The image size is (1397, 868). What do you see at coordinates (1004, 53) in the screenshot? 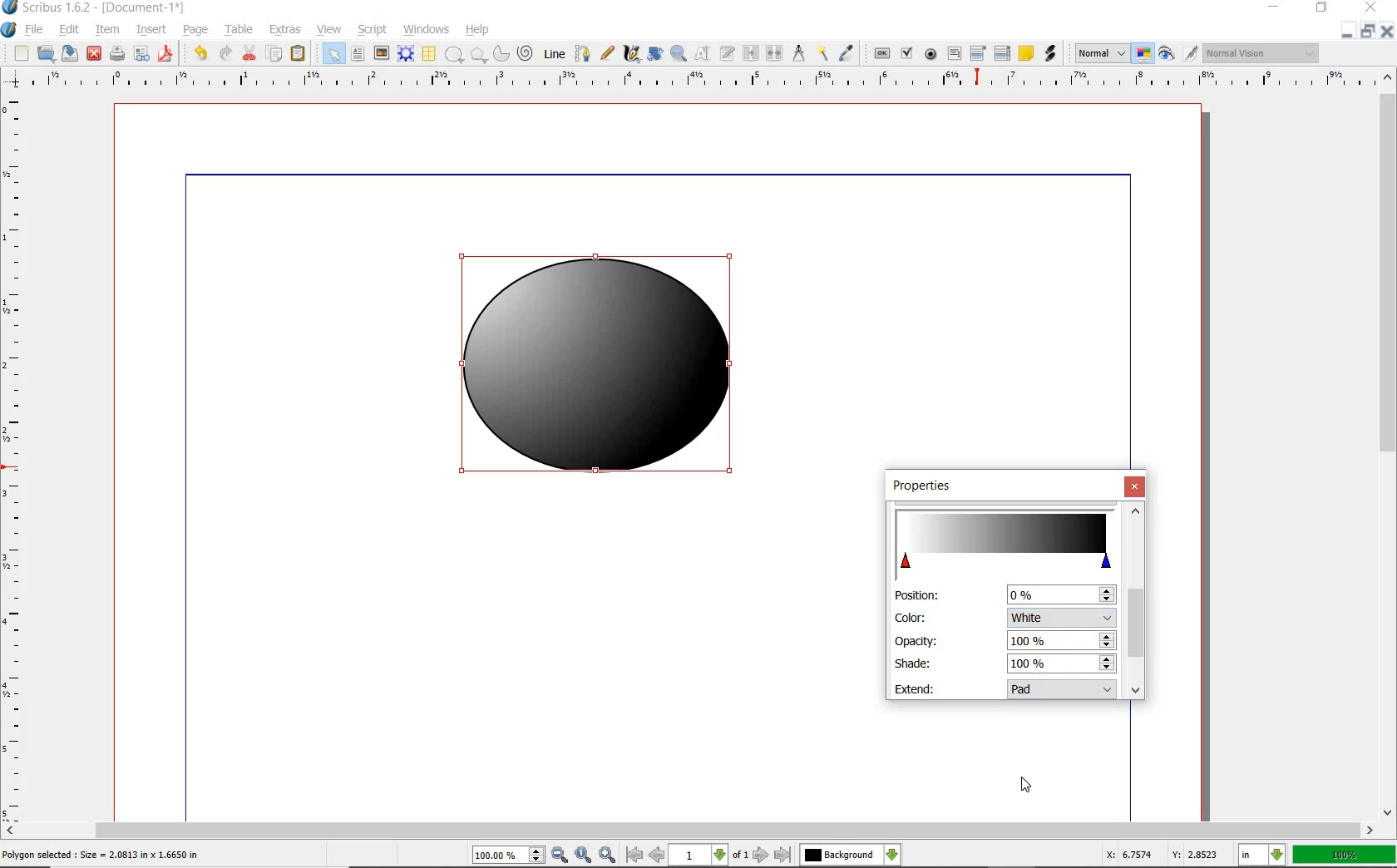
I see `PDF LIST BOX` at bounding box center [1004, 53].